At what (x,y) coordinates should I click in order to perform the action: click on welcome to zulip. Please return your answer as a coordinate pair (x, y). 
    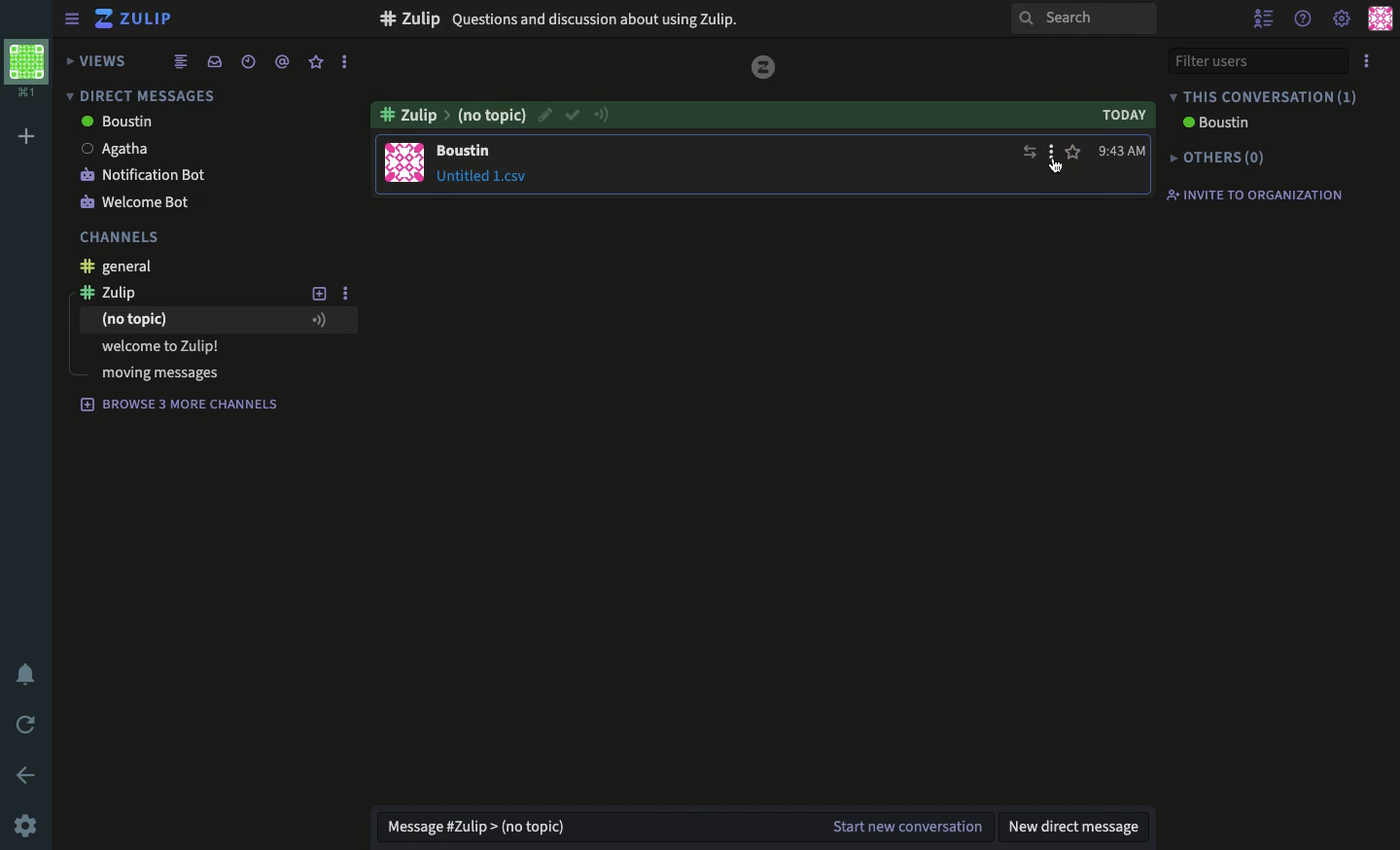
    Looking at the image, I should click on (164, 345).